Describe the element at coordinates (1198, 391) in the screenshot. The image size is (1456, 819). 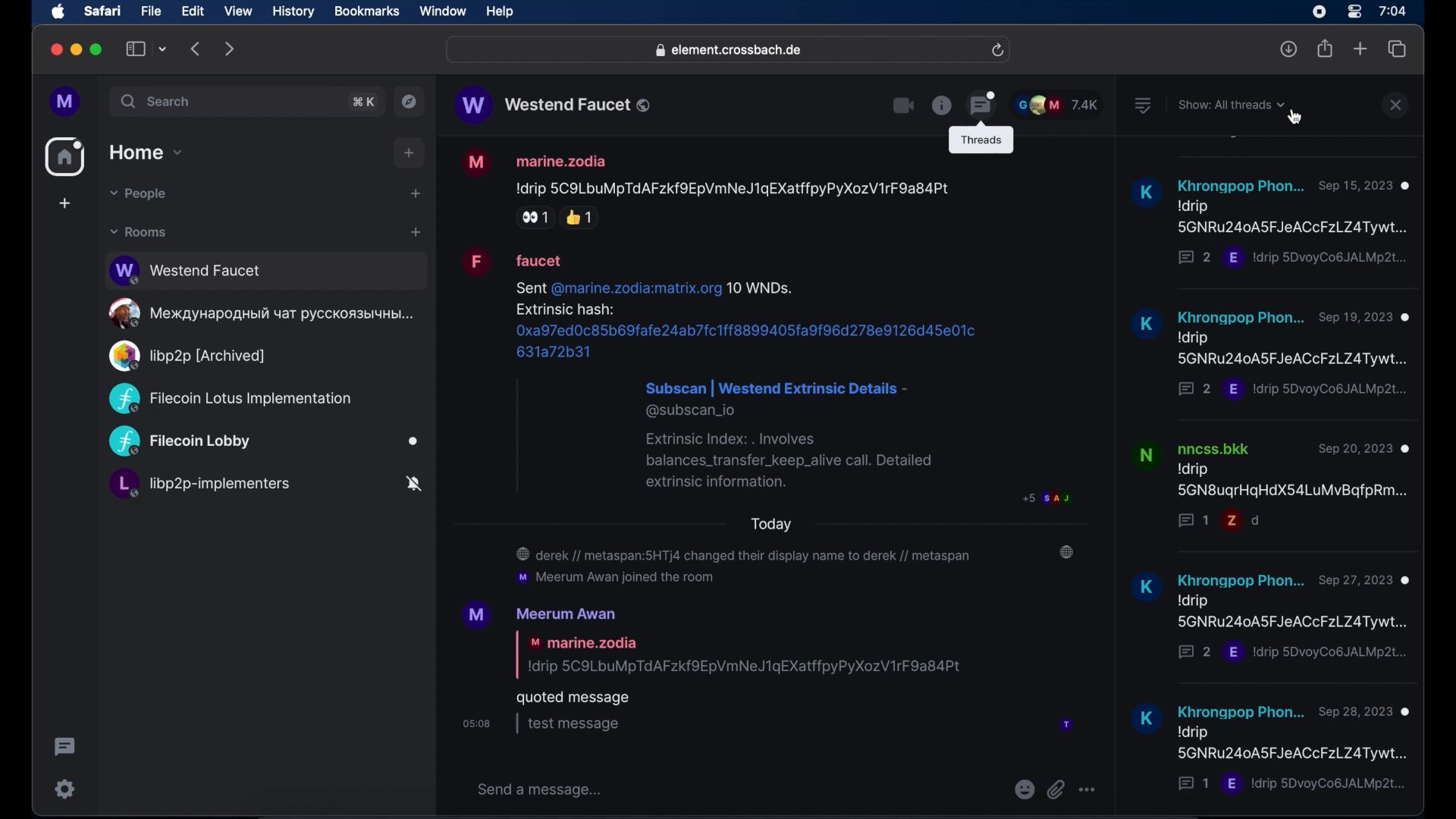
I see `2 messages` at that location.